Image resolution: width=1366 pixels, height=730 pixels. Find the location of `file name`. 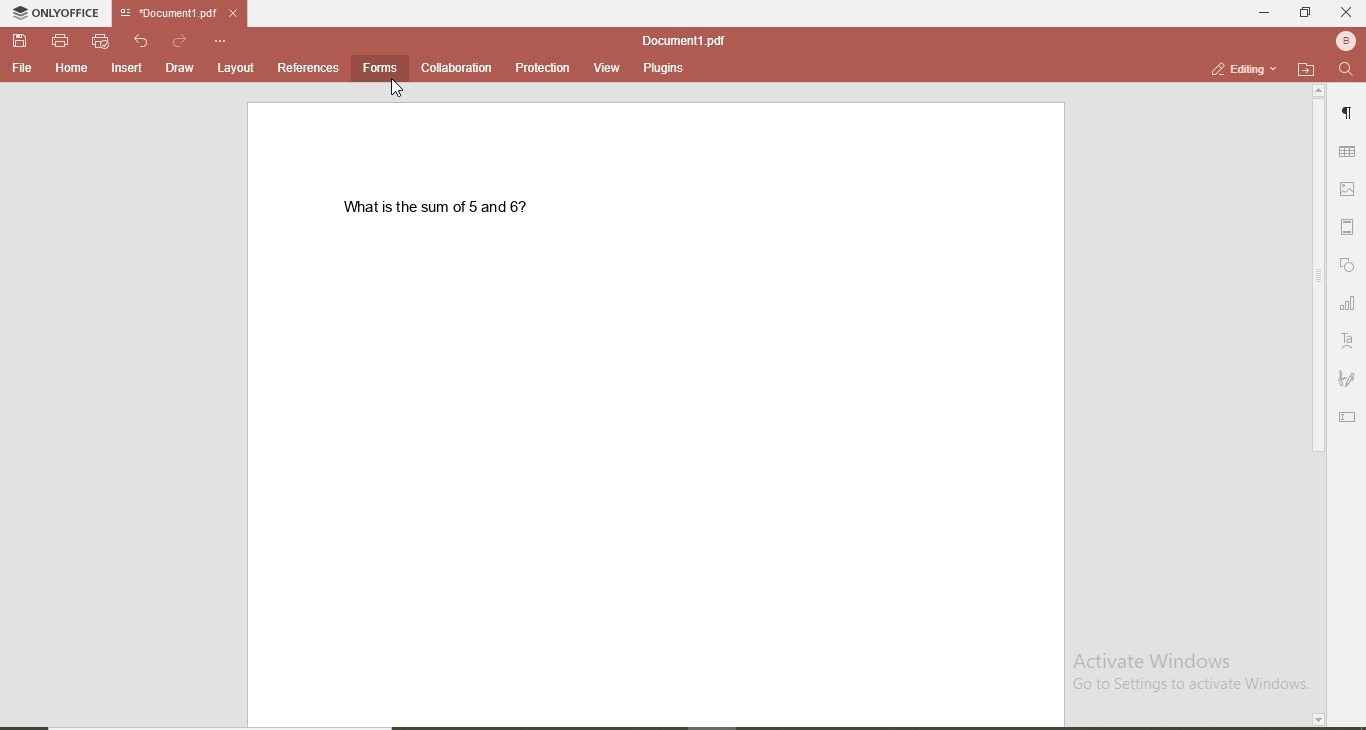

file name is located at coordinates (682, 37).